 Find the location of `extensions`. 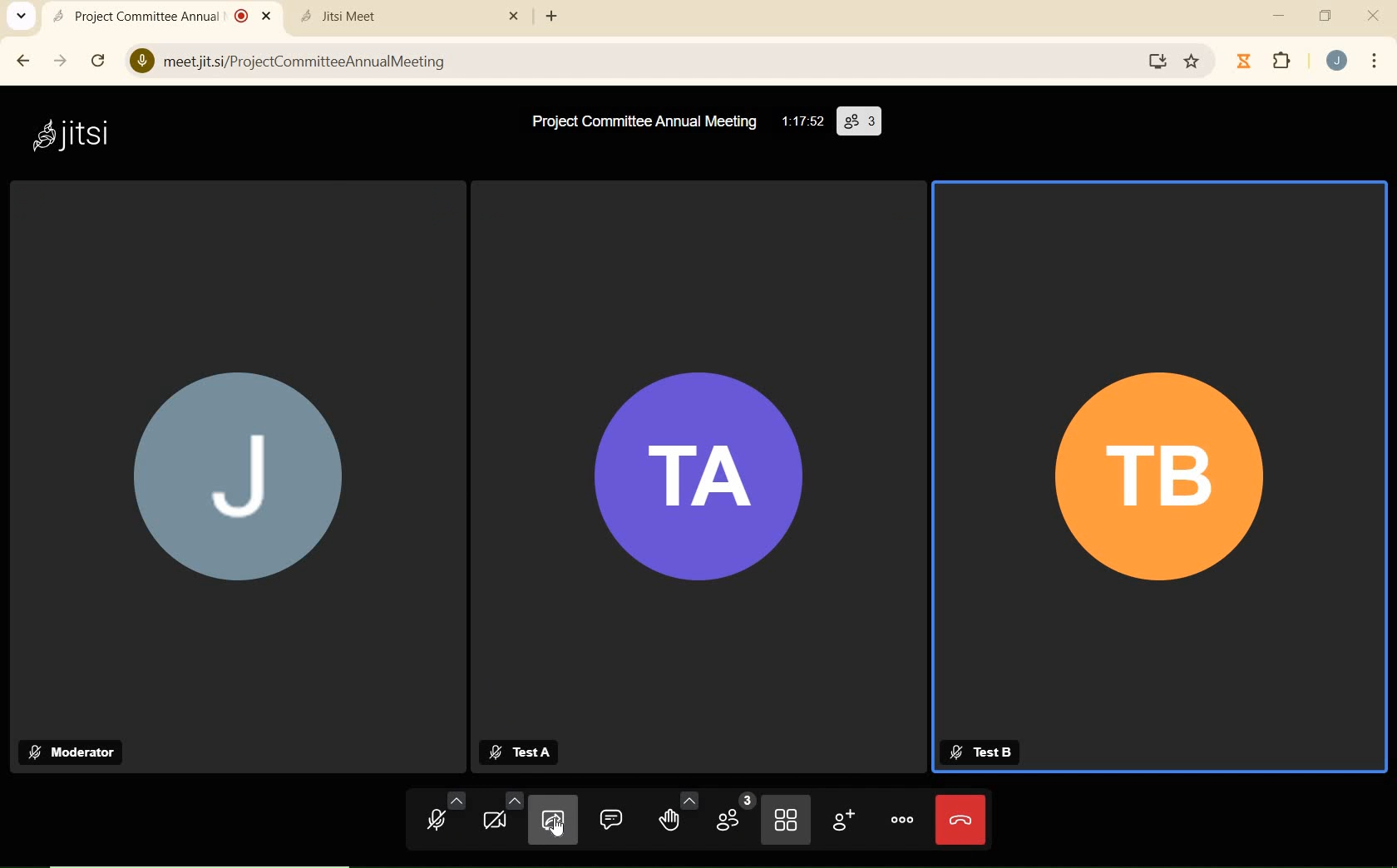

extensions is located at coordinates (1283, 62).